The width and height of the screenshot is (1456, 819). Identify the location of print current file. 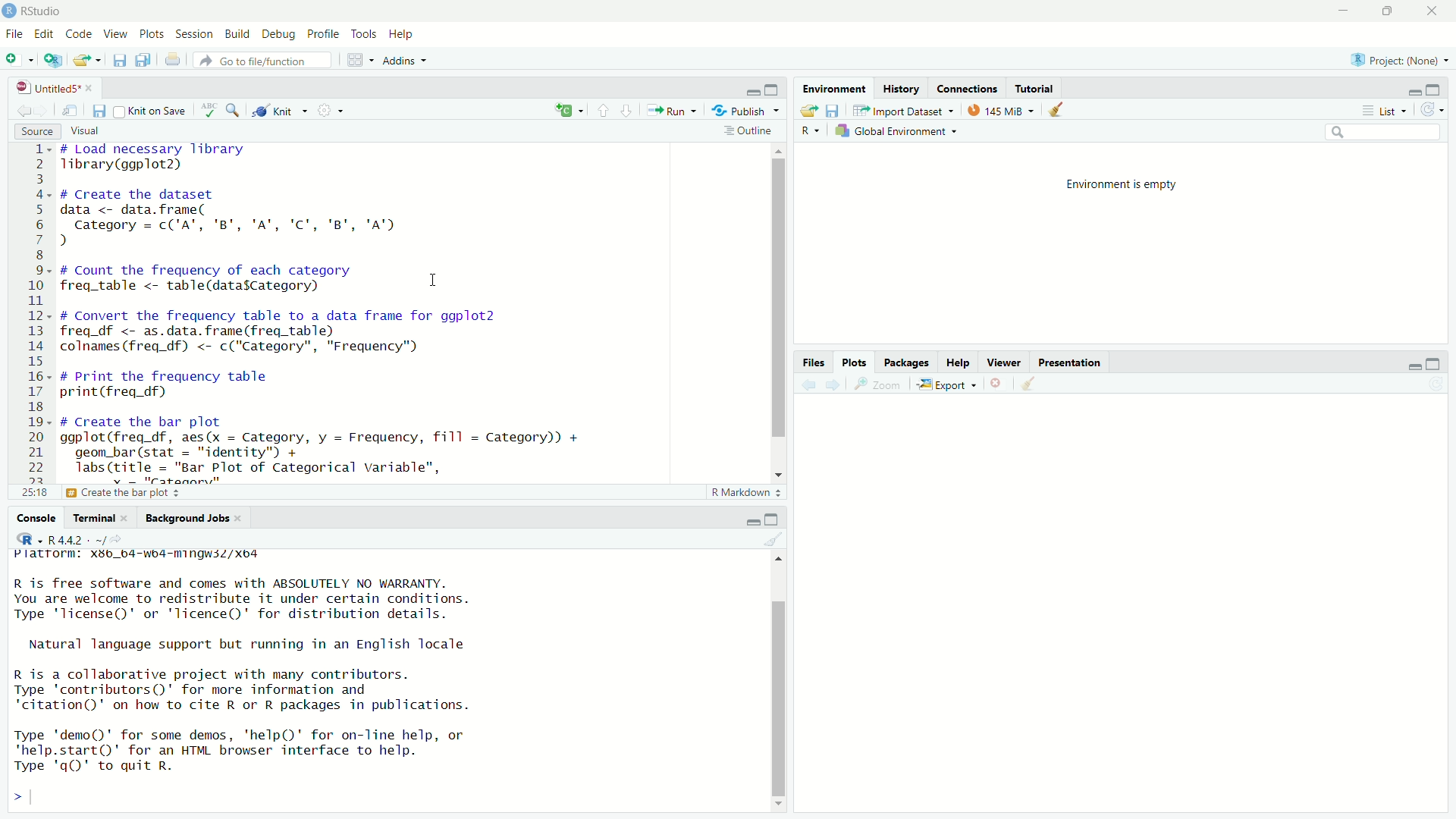
(175, 61).